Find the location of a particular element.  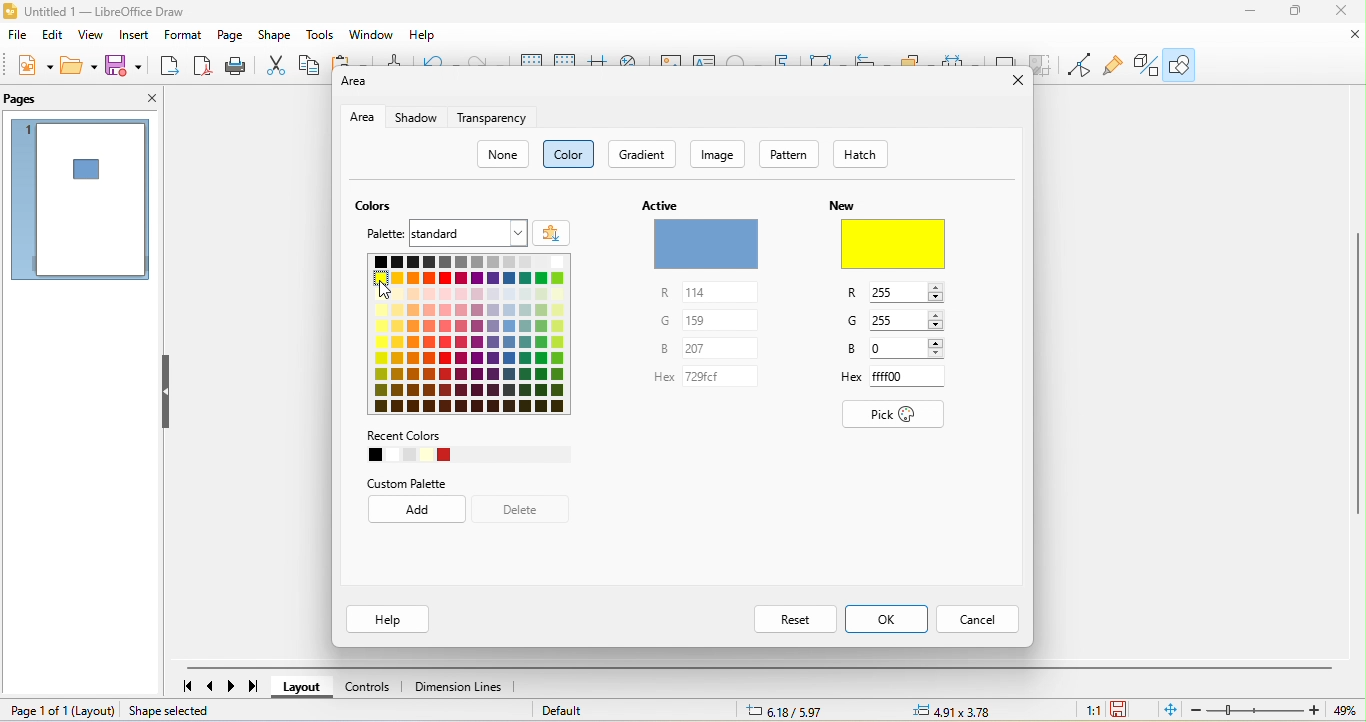

previous page is located at coordinates (210, 685).